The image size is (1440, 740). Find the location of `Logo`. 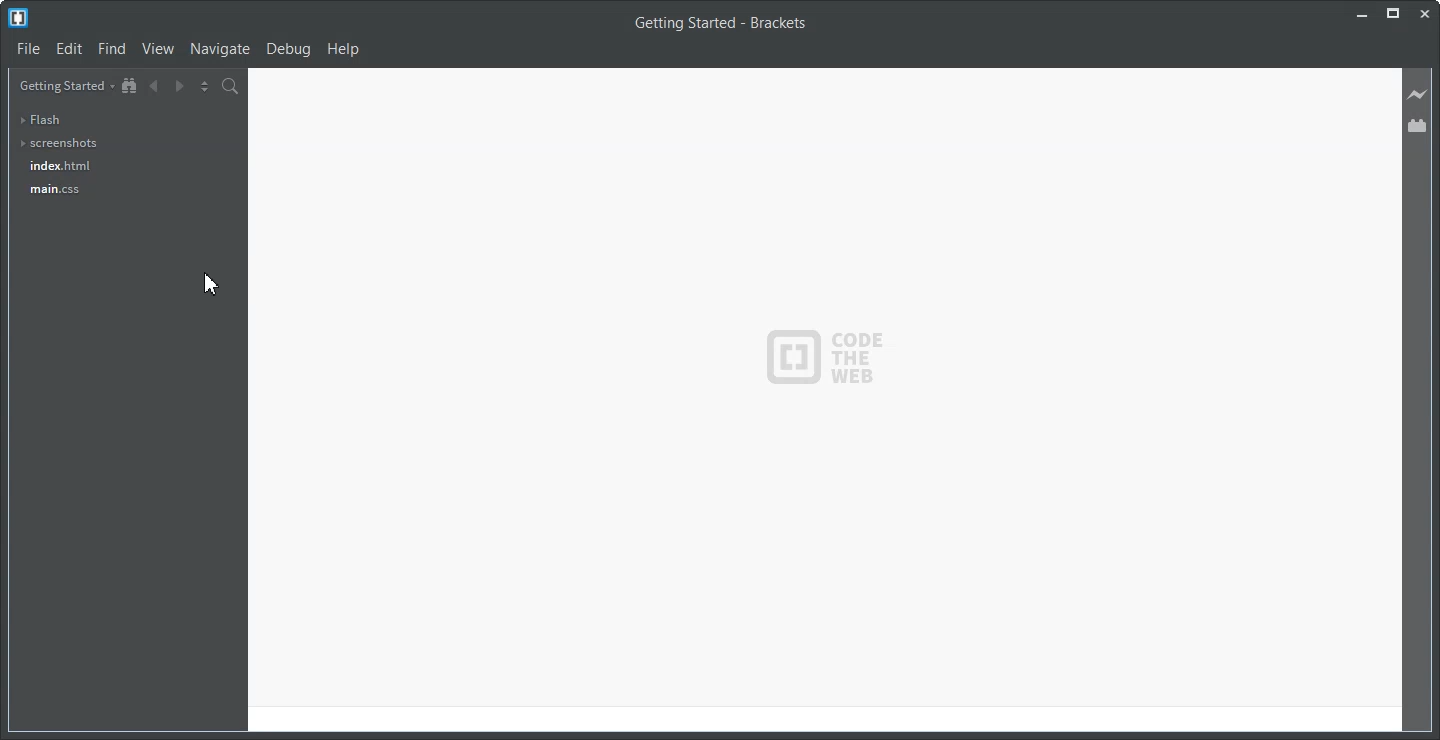

Logo is located at coordinates (18, 18).